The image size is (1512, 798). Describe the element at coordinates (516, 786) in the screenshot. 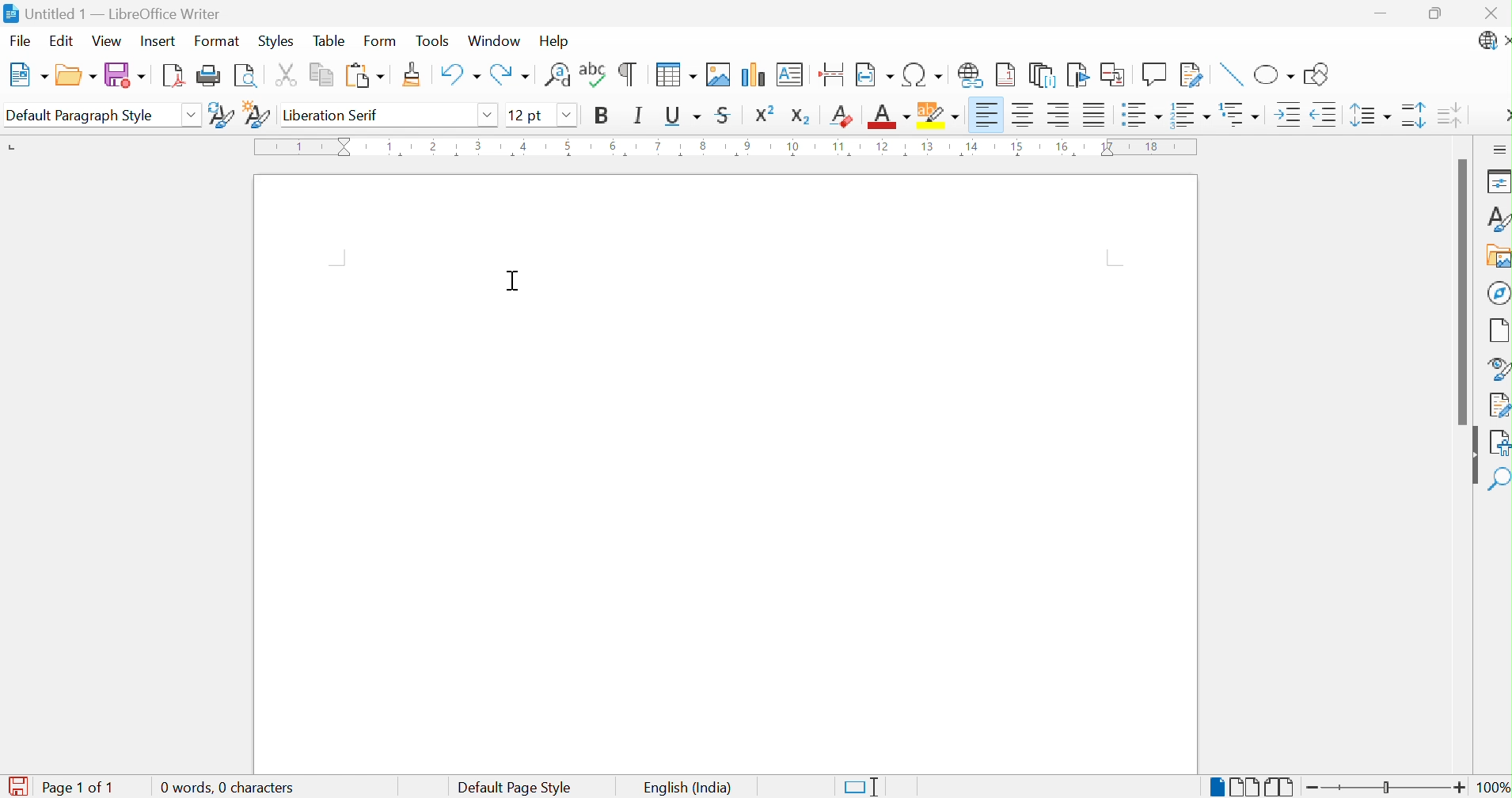

I see `Default Page Style` at that location.